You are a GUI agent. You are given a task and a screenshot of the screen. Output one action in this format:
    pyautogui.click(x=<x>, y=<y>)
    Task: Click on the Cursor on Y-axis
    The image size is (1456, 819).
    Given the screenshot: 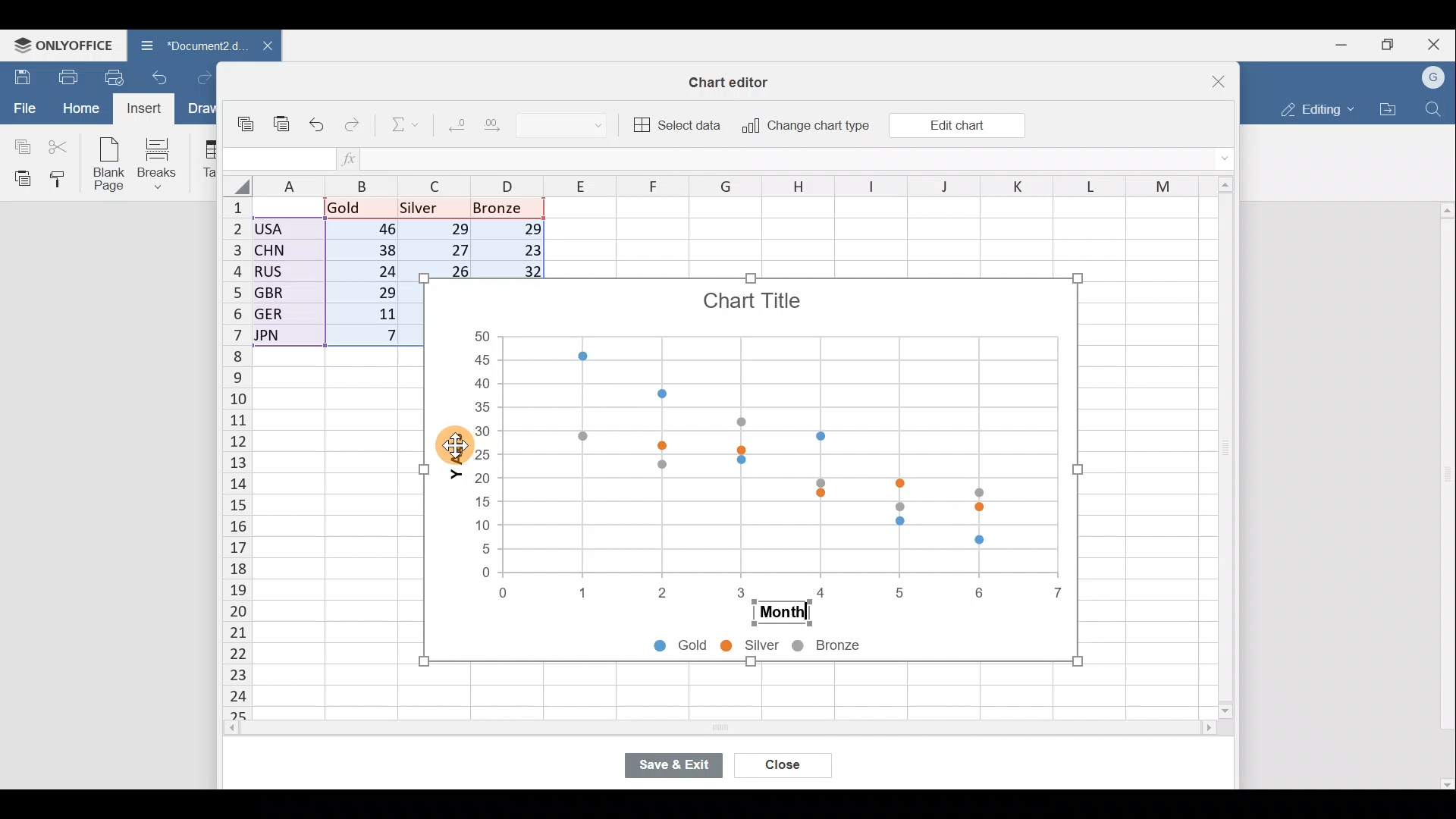 What is the action you would take?
    pyautogui.click(x=450, y=447)
    